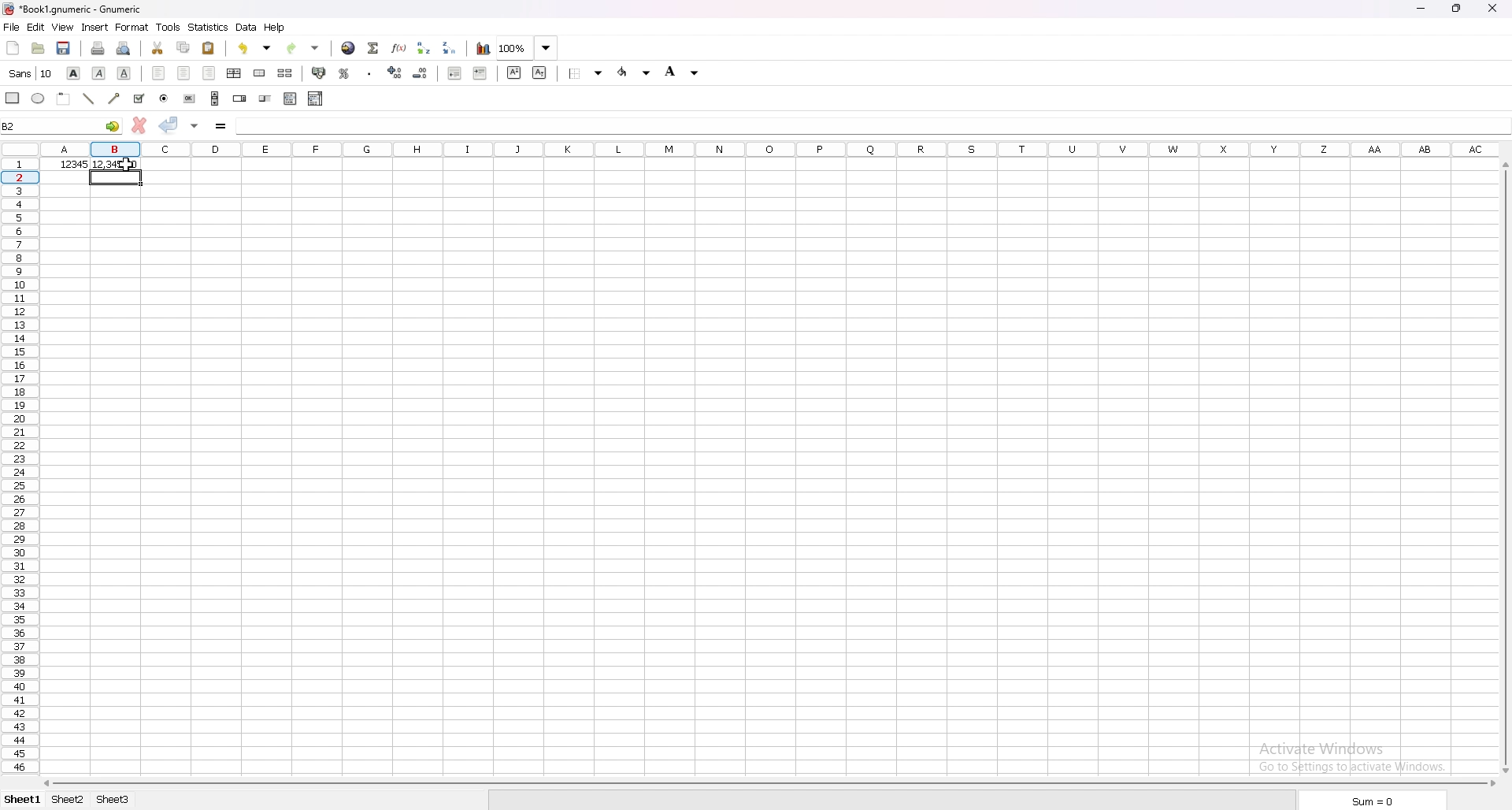 The height and width of the screenshot is (810, 1512). Describe the element at coordinates (480, 72) in the screenshot. I see `increase indent` at that location.